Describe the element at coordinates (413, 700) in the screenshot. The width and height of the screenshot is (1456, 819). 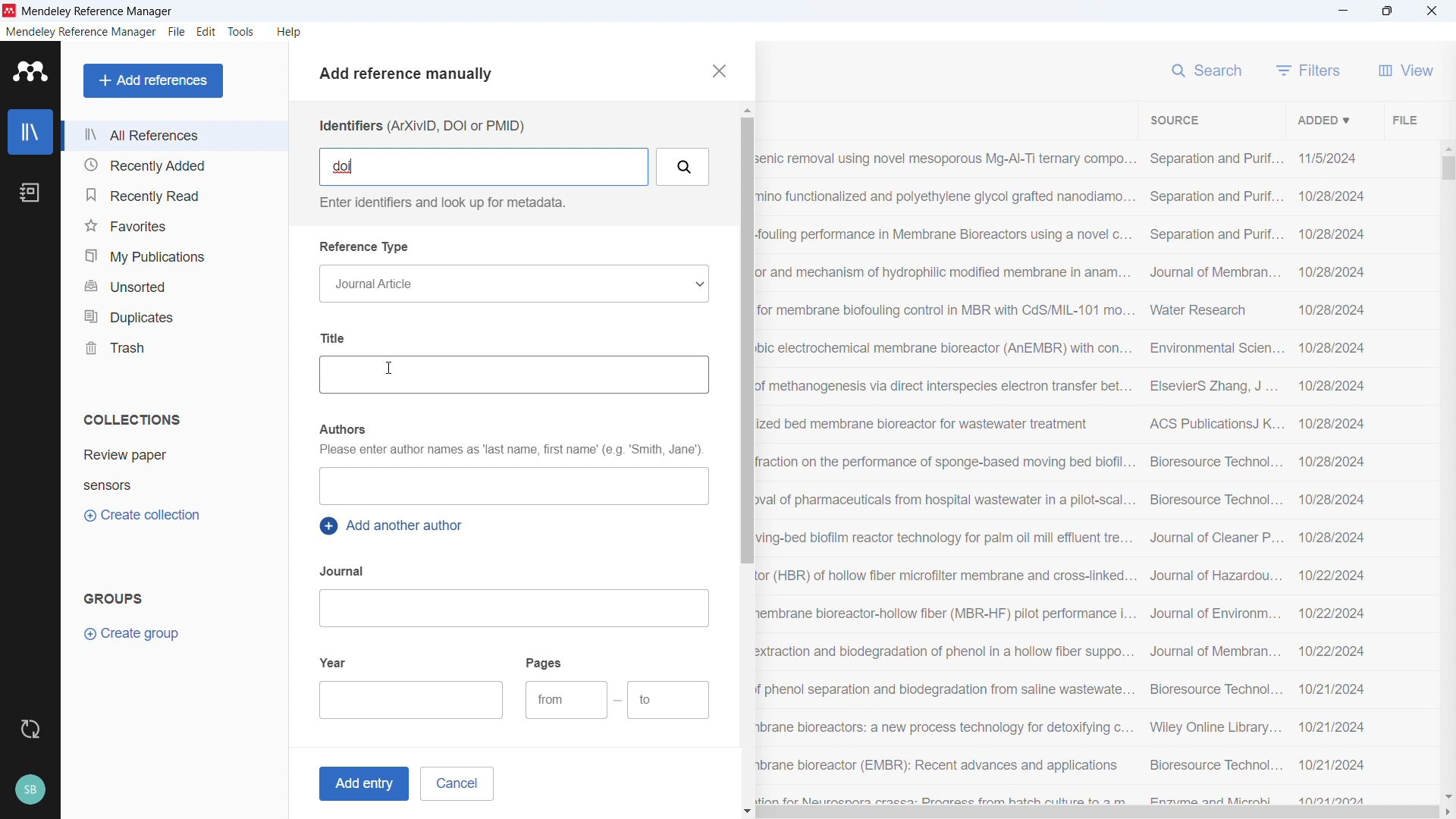
I see `Add year of publication ` at that location.